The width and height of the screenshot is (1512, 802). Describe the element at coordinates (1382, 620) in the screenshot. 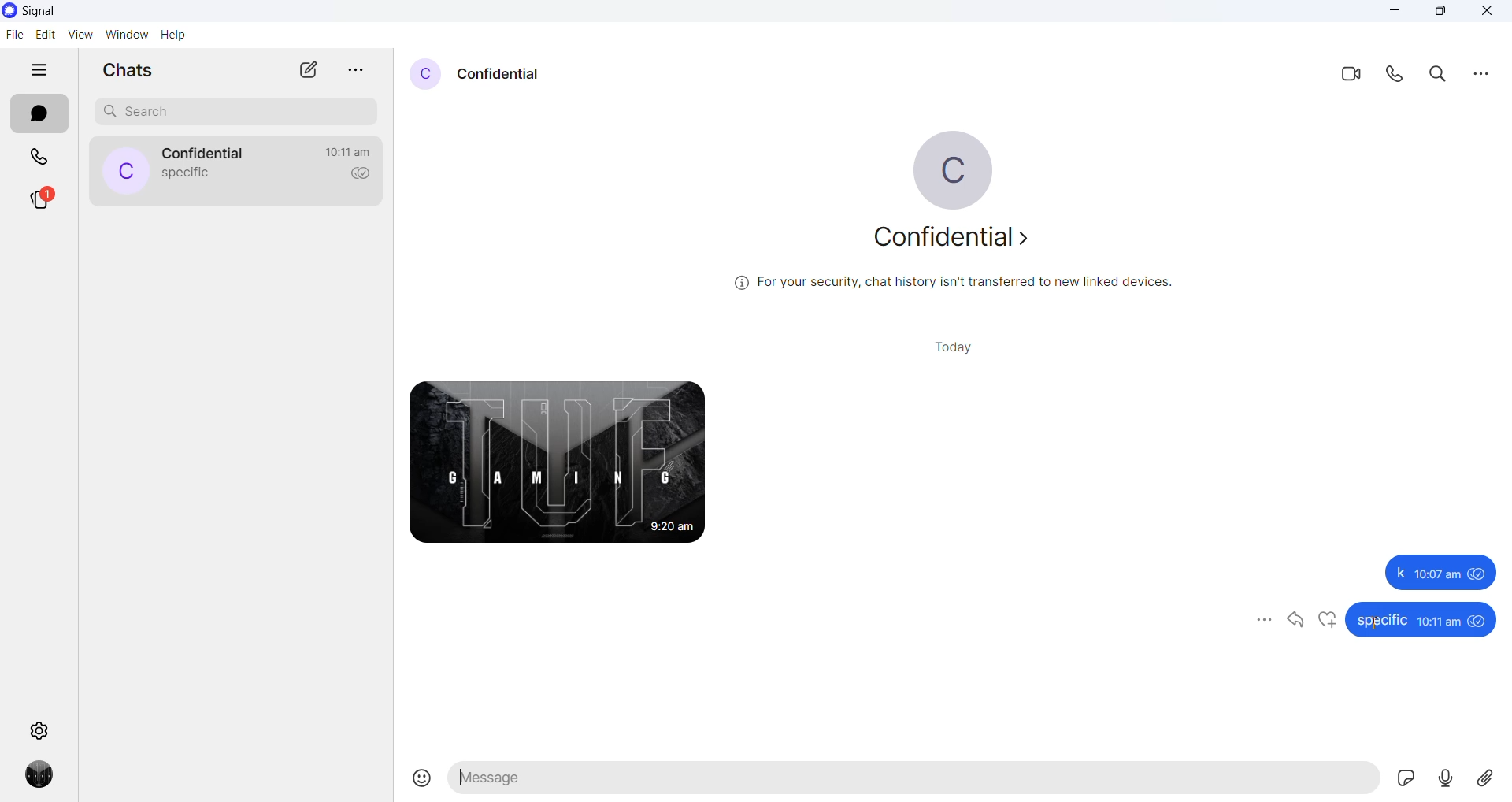

I see `specific` at that location.